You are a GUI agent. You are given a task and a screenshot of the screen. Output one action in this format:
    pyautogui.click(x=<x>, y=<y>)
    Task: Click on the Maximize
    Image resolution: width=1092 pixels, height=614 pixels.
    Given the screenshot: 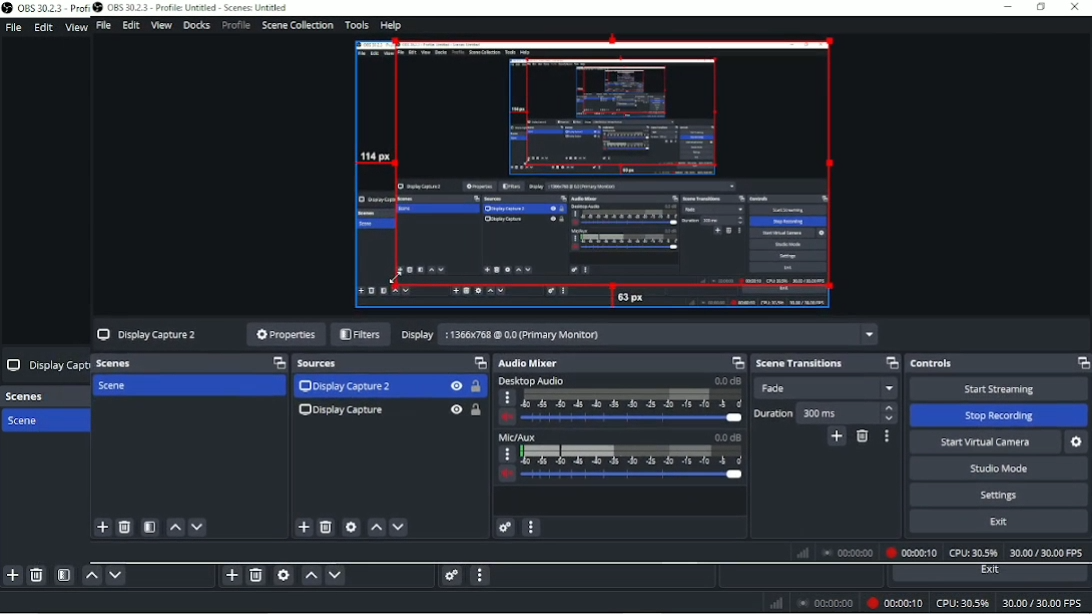 What is the action you would take?
    pyautogui.click(x=1082, y=364)
    